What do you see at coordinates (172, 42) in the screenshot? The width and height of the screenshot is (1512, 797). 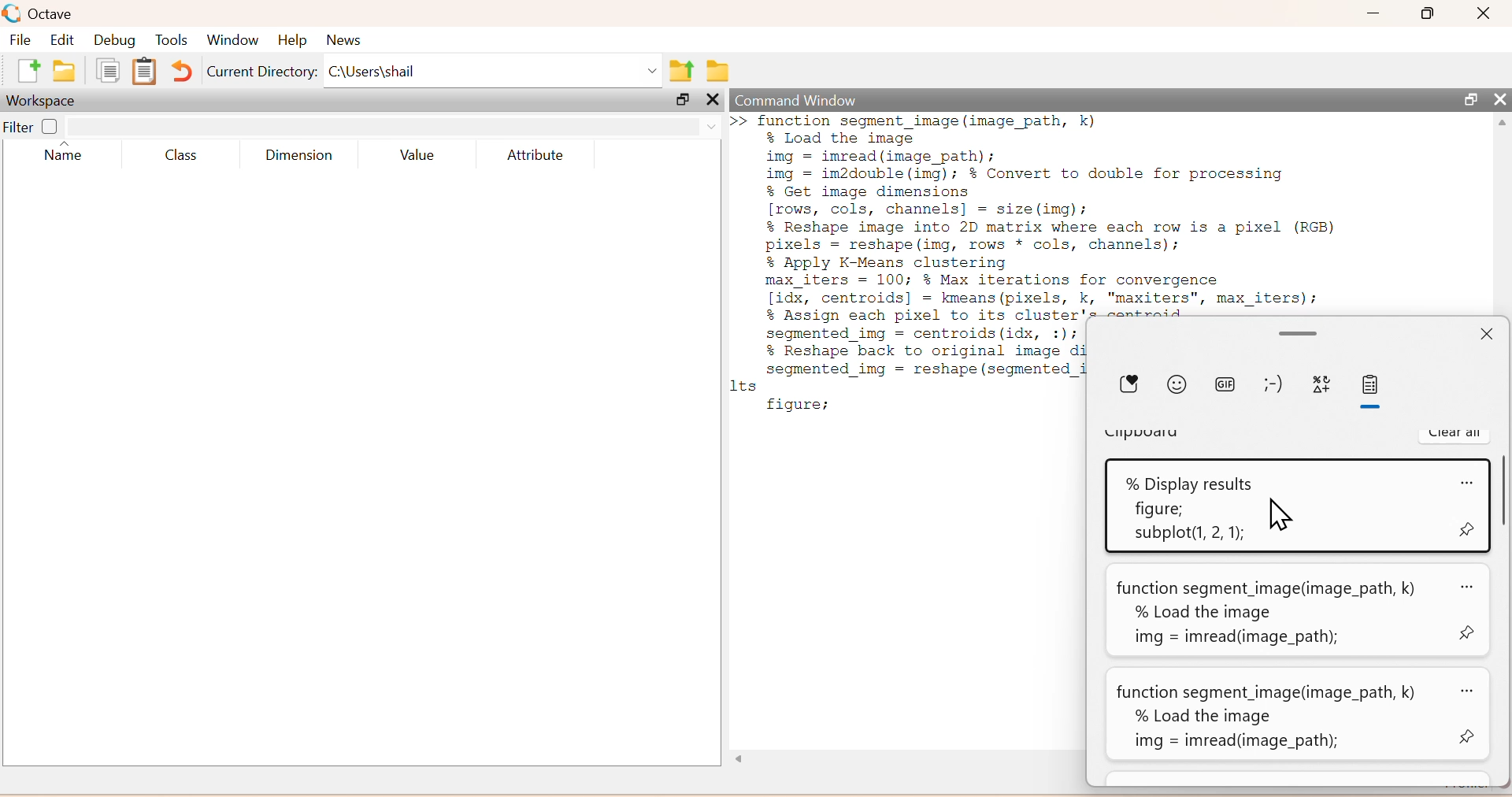 I see `Tools` at bounding box center [172, 42].